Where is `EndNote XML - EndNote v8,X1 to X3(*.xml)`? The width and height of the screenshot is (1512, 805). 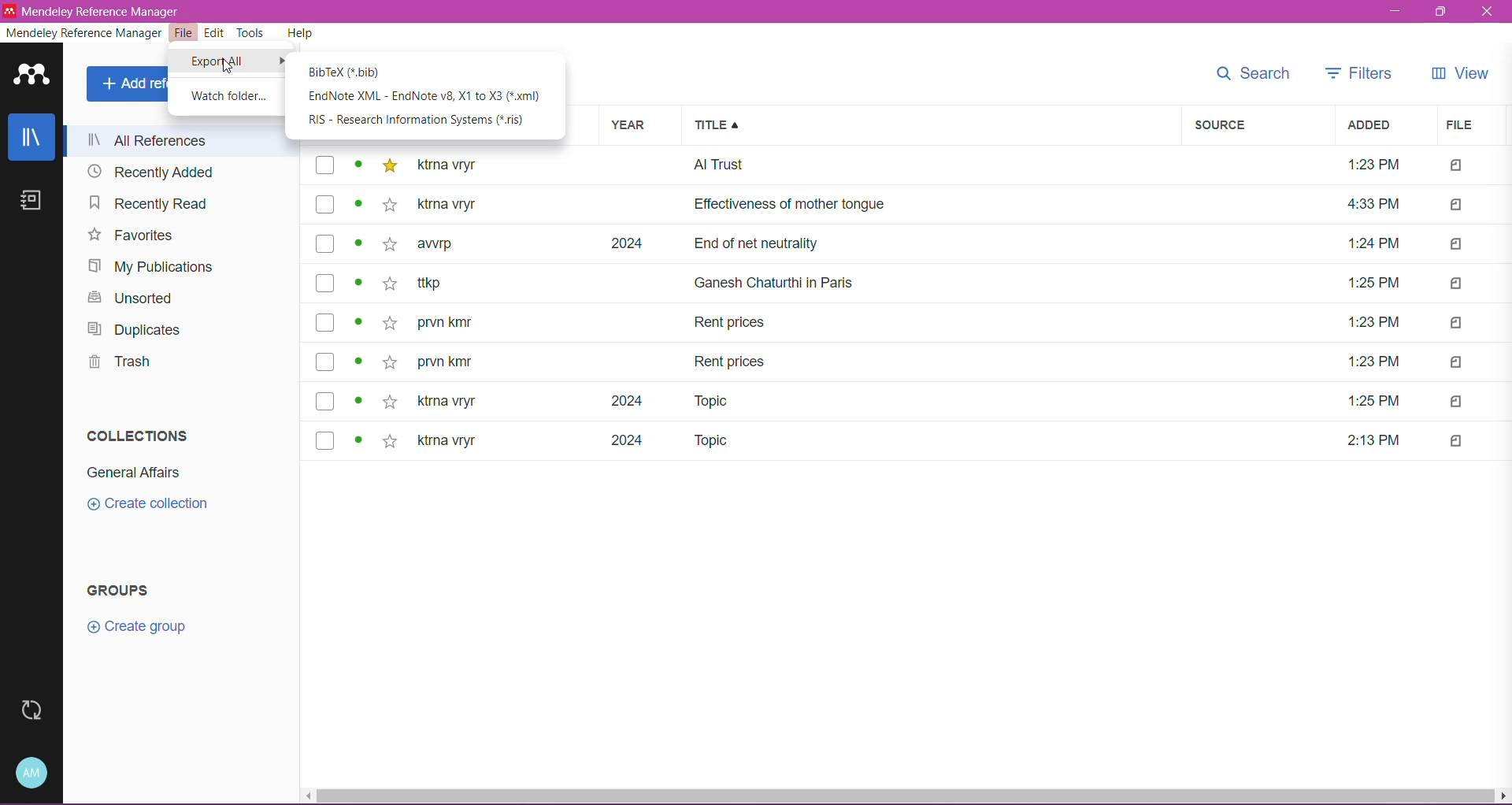 EndNote XML - EndNote v8,X1 to X3(*.xml) is located at coordinates (427, 98).